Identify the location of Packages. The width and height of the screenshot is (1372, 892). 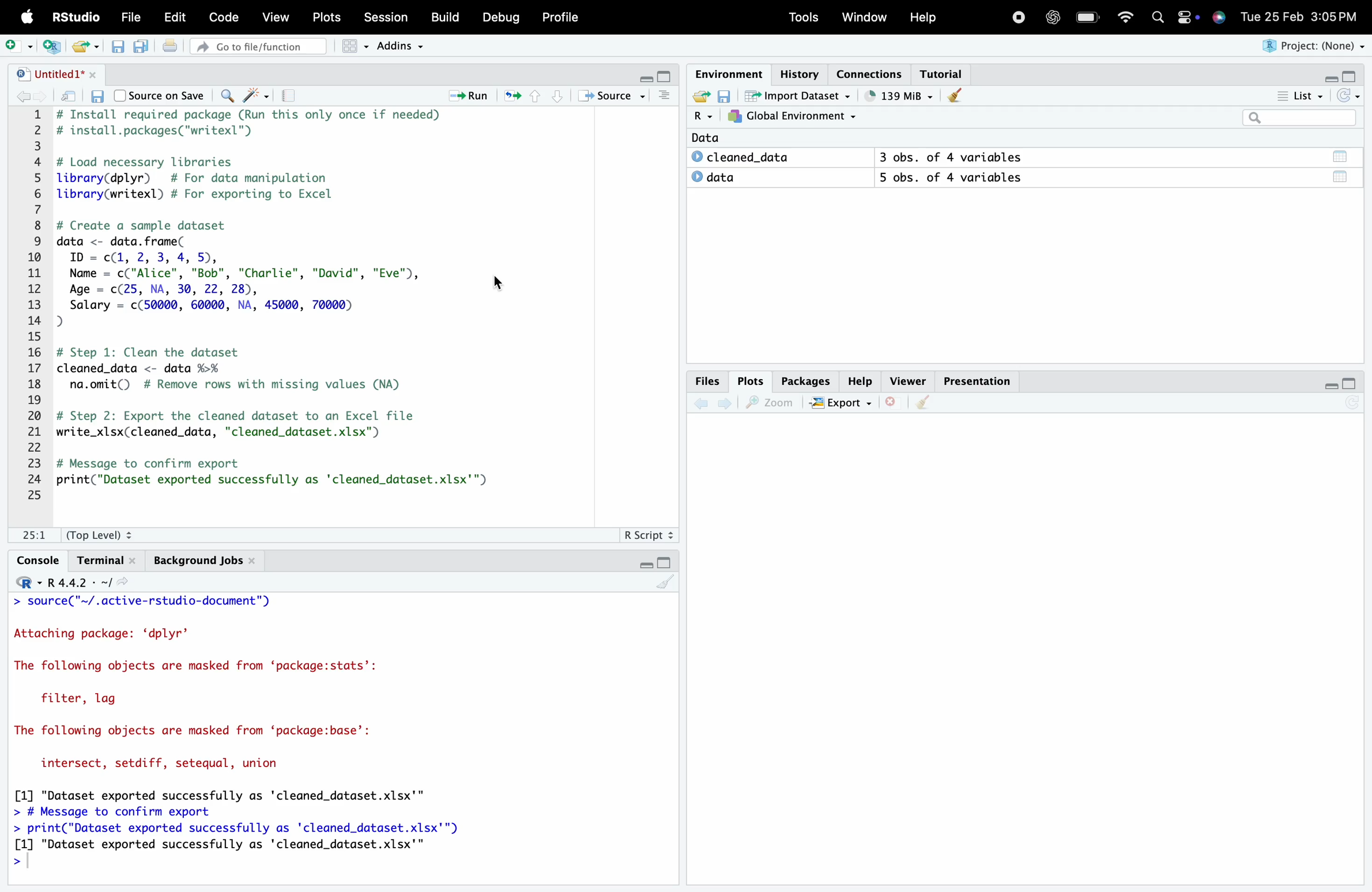
(806, 381).